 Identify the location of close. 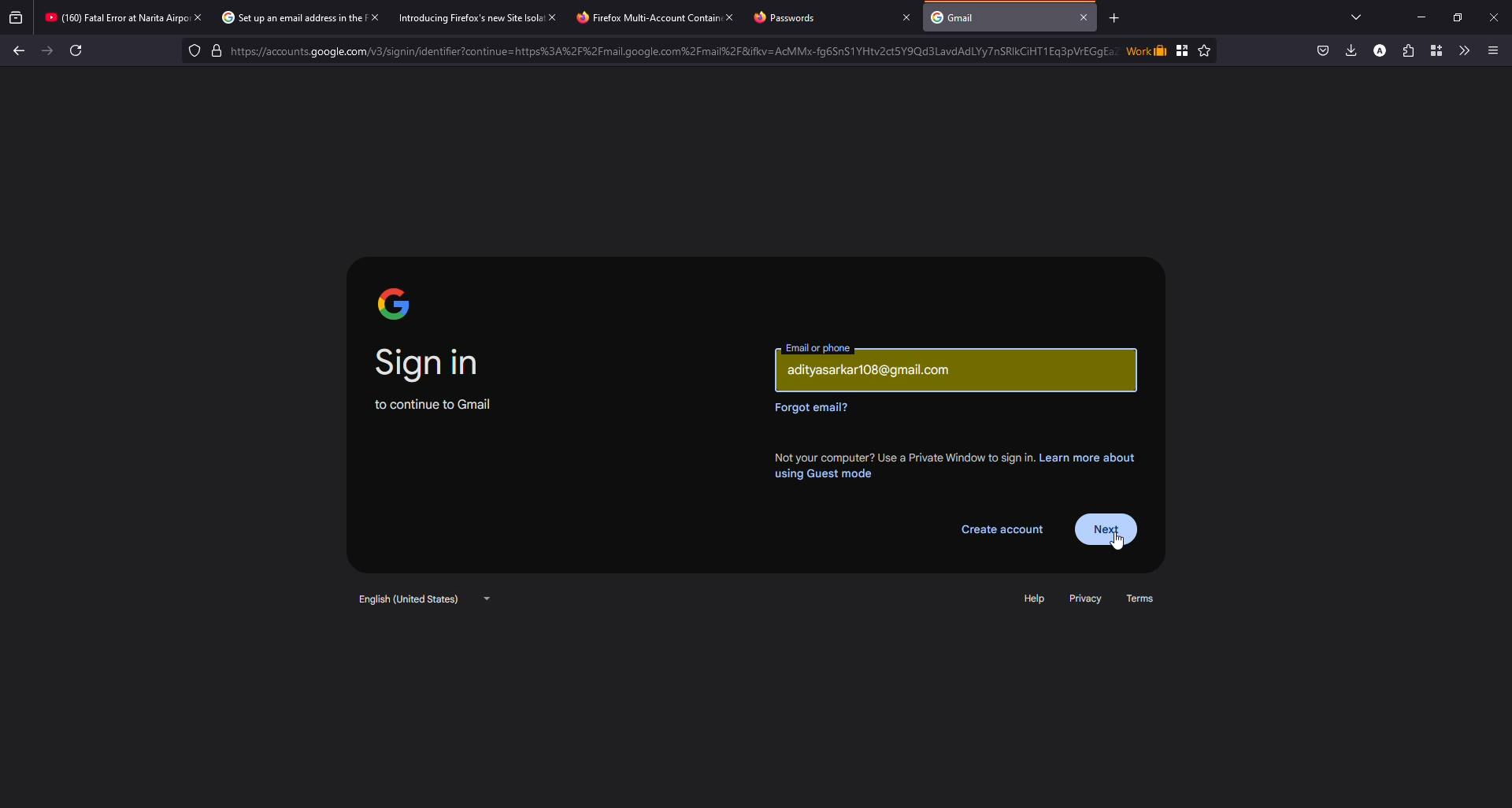
(903, 17).